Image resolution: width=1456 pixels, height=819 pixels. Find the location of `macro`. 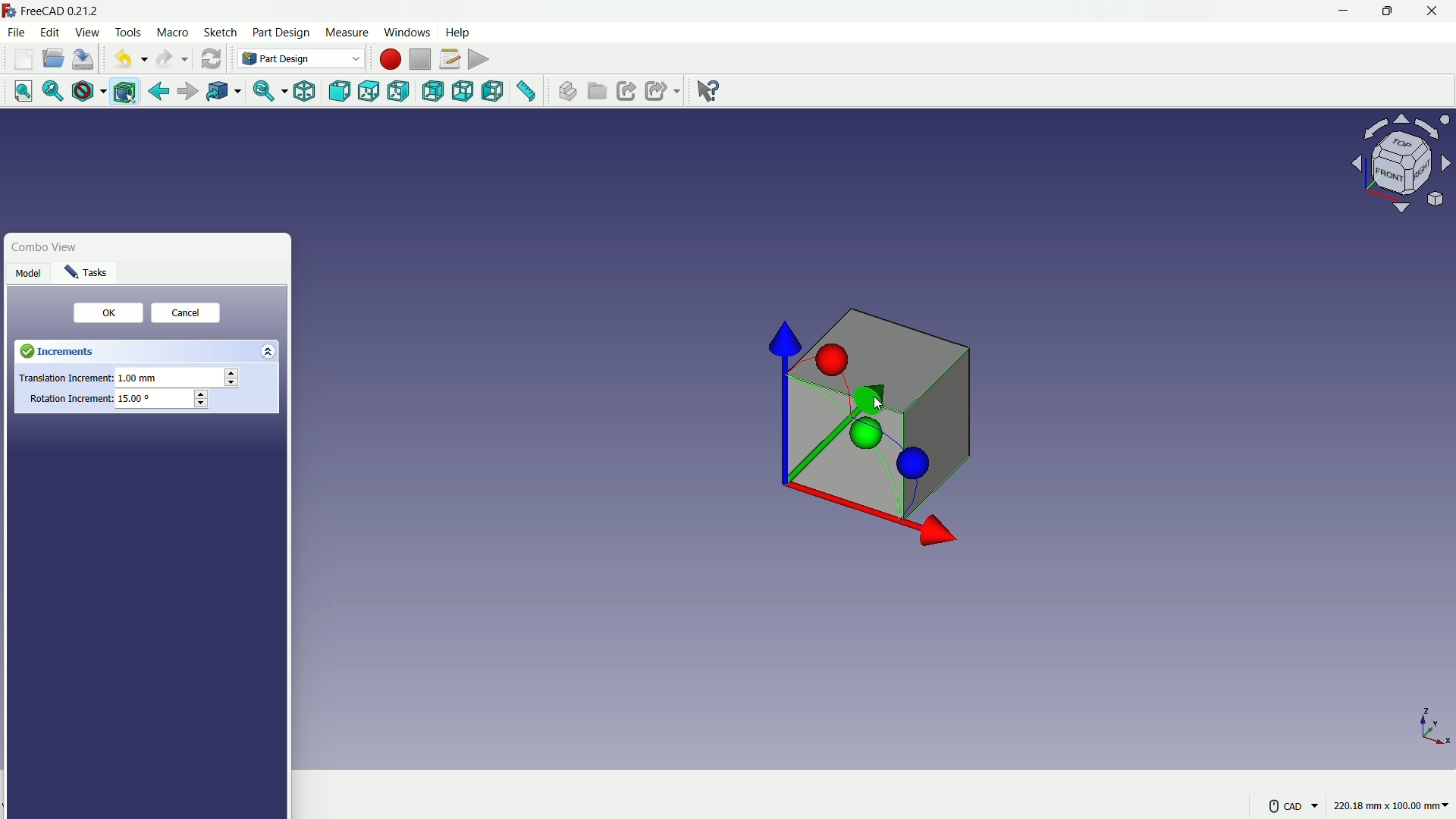

macro is located at coordinates (174, 33).